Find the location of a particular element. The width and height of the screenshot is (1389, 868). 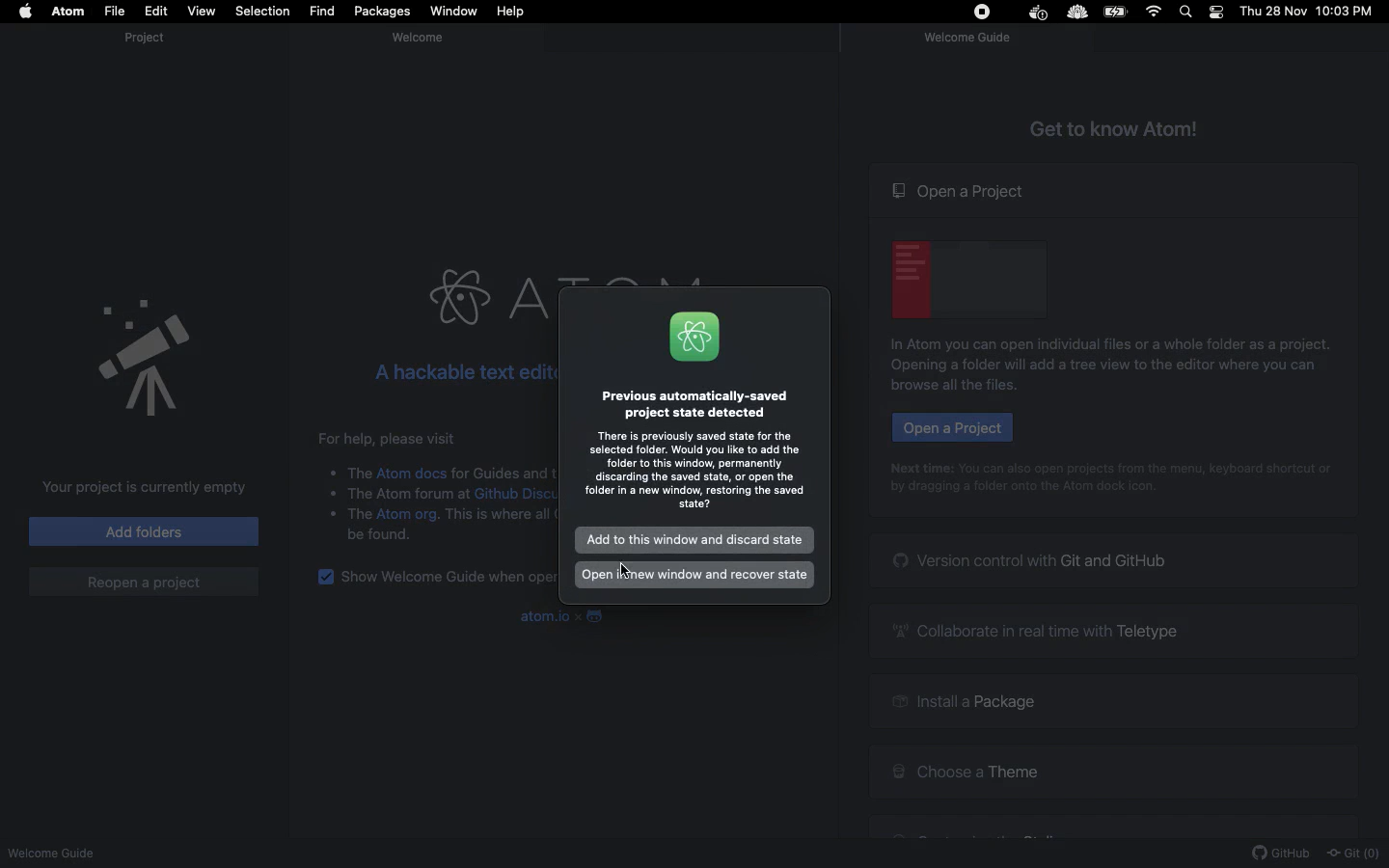

Packages is located at coordinates (382, 14).